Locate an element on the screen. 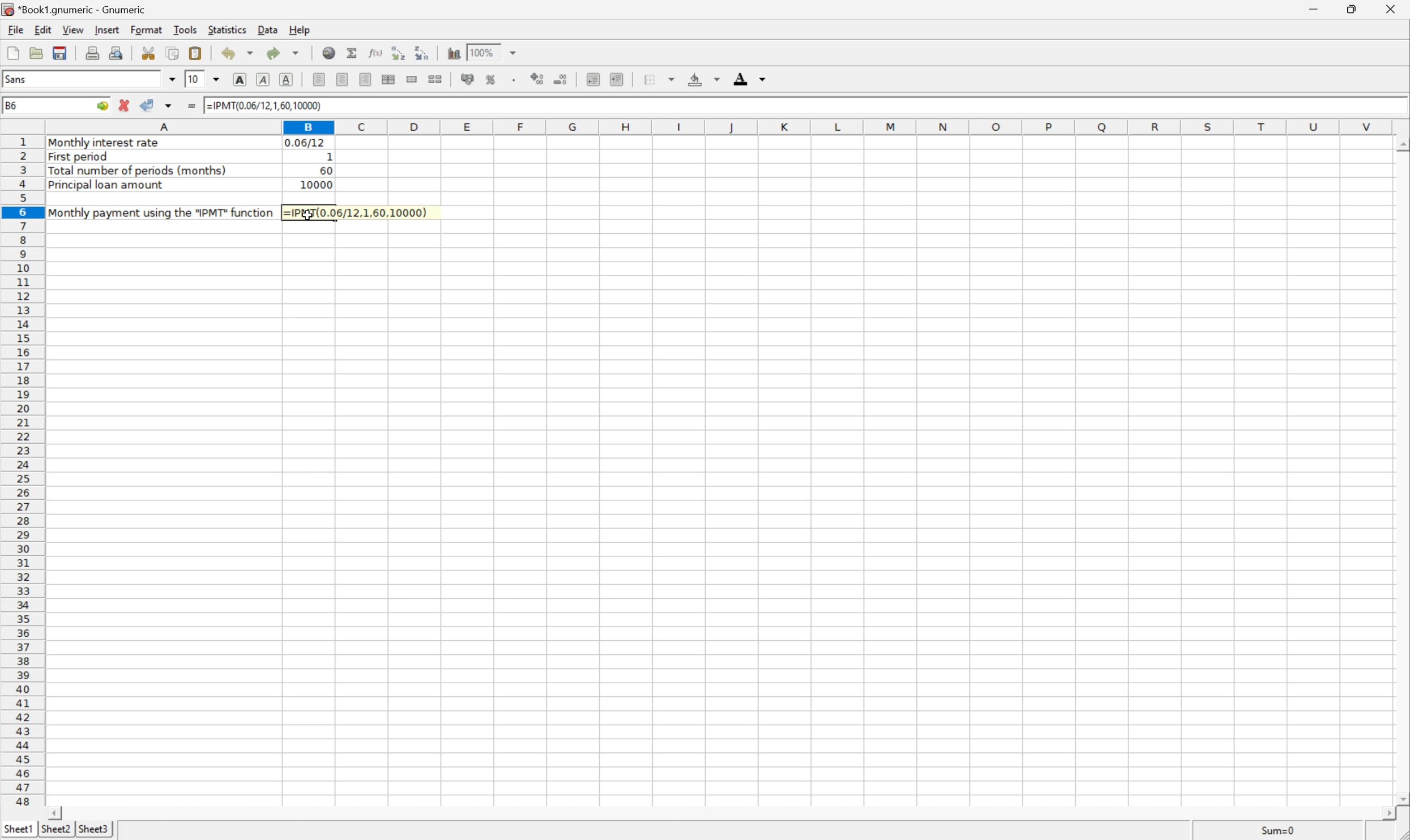 This screenshot has width=1410, height=840. Statistics is located at coordinates (227, 28).